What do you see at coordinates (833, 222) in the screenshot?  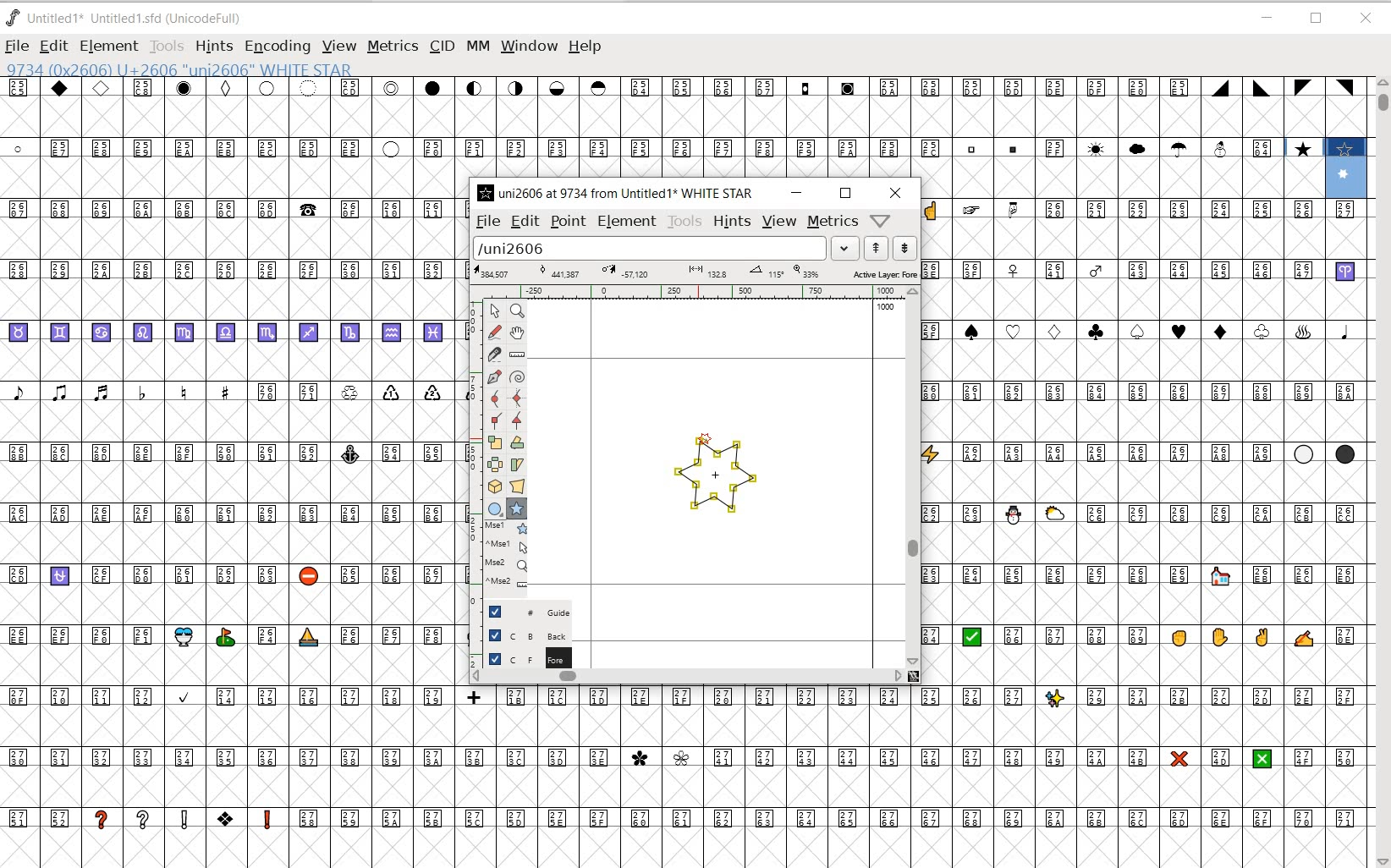 I see `metrics` at bounding box center [833, 222].